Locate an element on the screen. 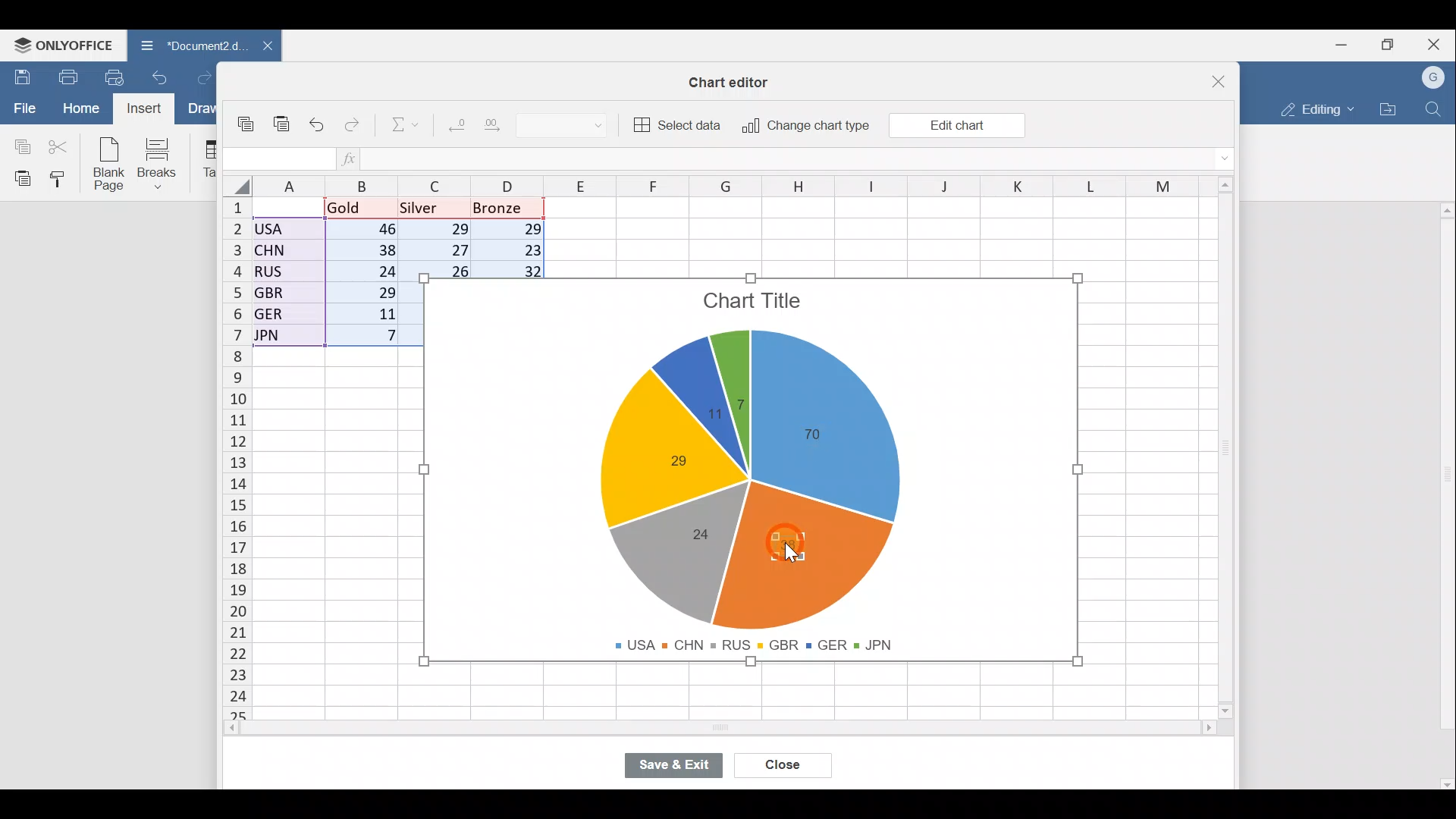 The image size is (1456, 819). Rows is located at coordinates (237, 449).